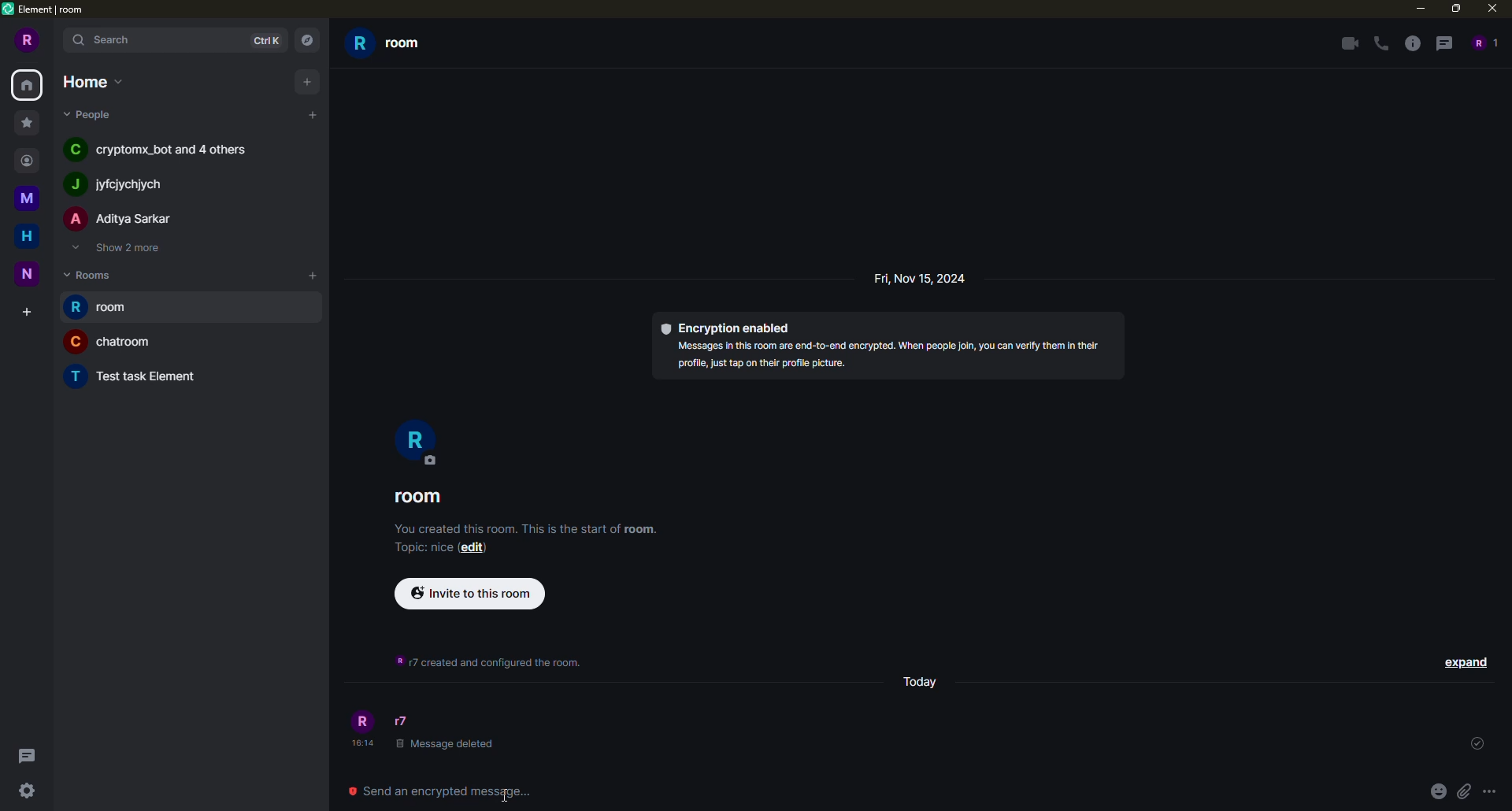 The height and width of the screenshot is (811, 1512). I want to click on minimize, so click(1417, 9).